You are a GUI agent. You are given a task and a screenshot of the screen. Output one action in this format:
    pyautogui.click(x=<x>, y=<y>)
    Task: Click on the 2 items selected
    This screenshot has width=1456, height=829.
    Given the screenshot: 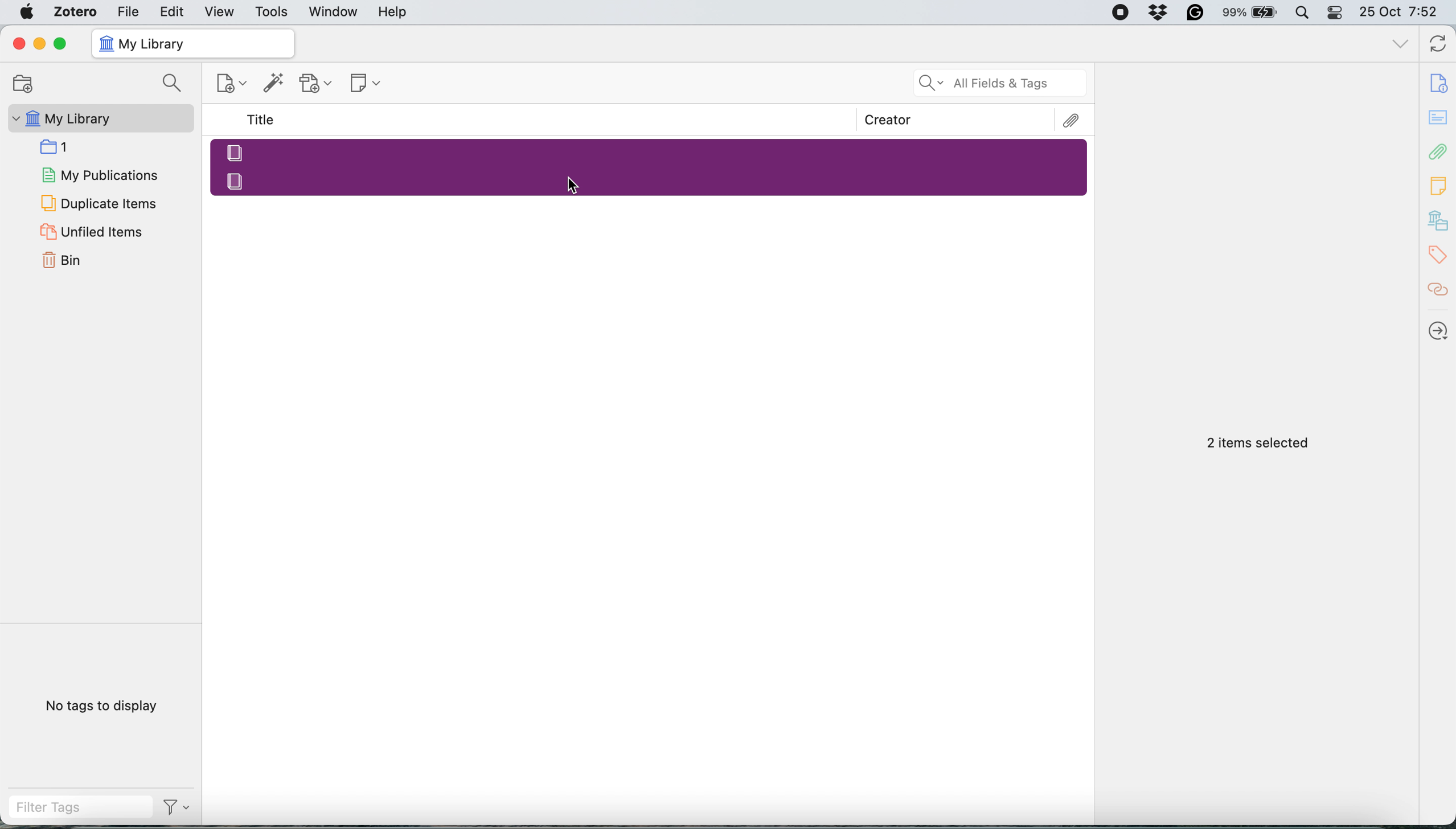 What is the action you would take?
    pyautogui.click(x=1258, y=444)
    